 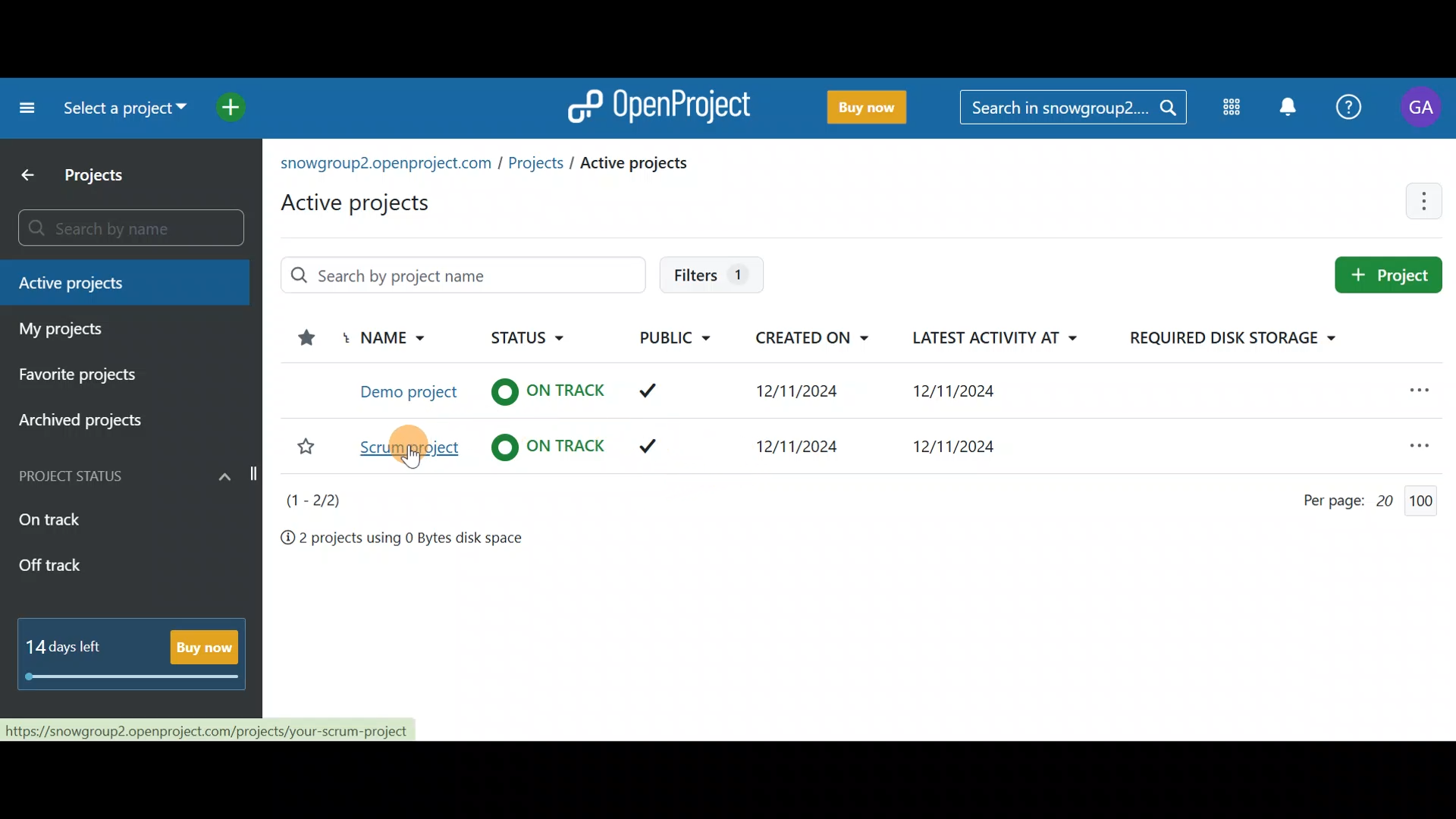 What do you see at coordinates (91, 566) in the screenshot?
I see `Off track` at bounding box center [91, 566].